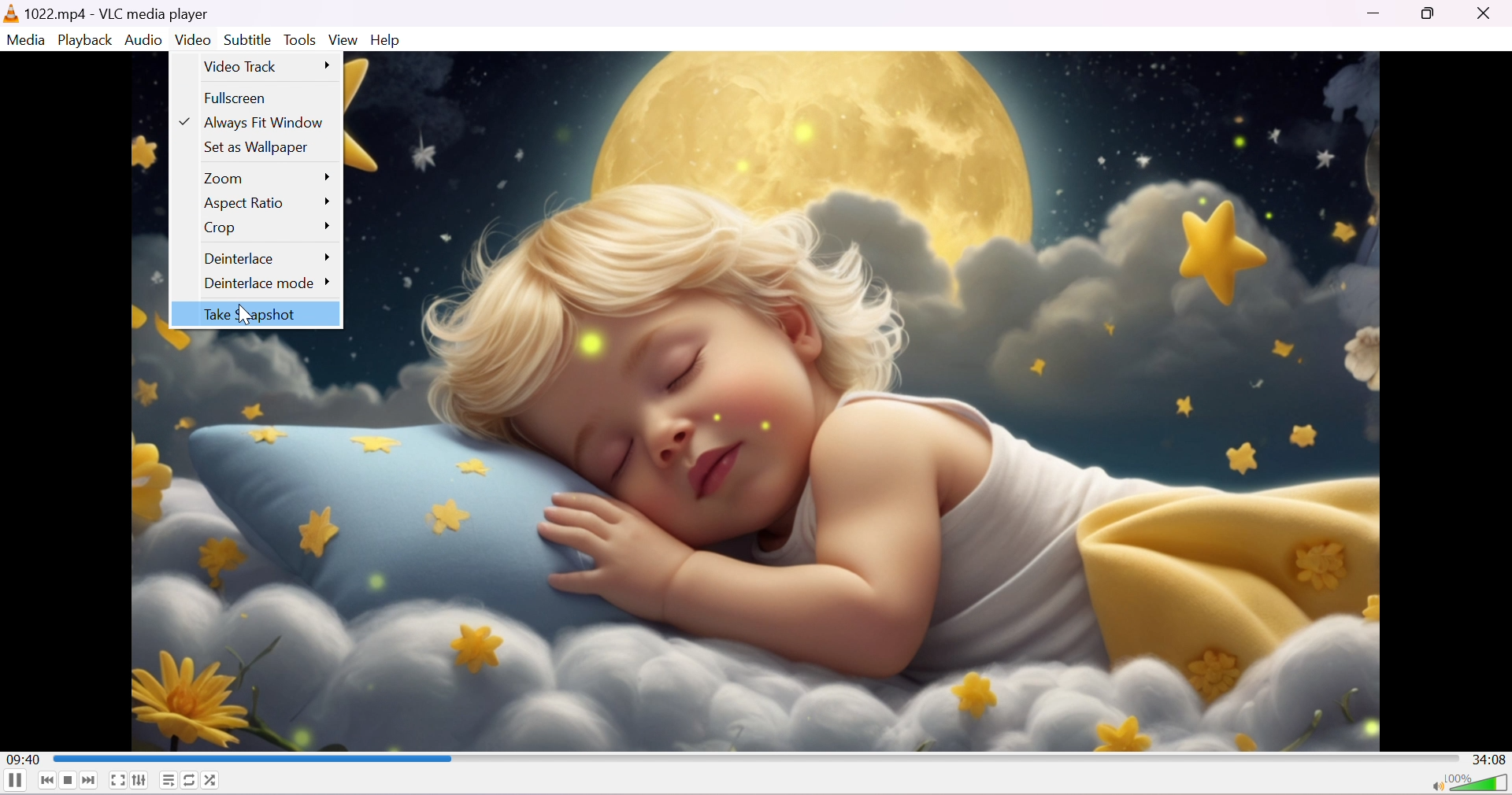  I want to click on Next media in the playlist, skip forward when held, so click(90, 781).